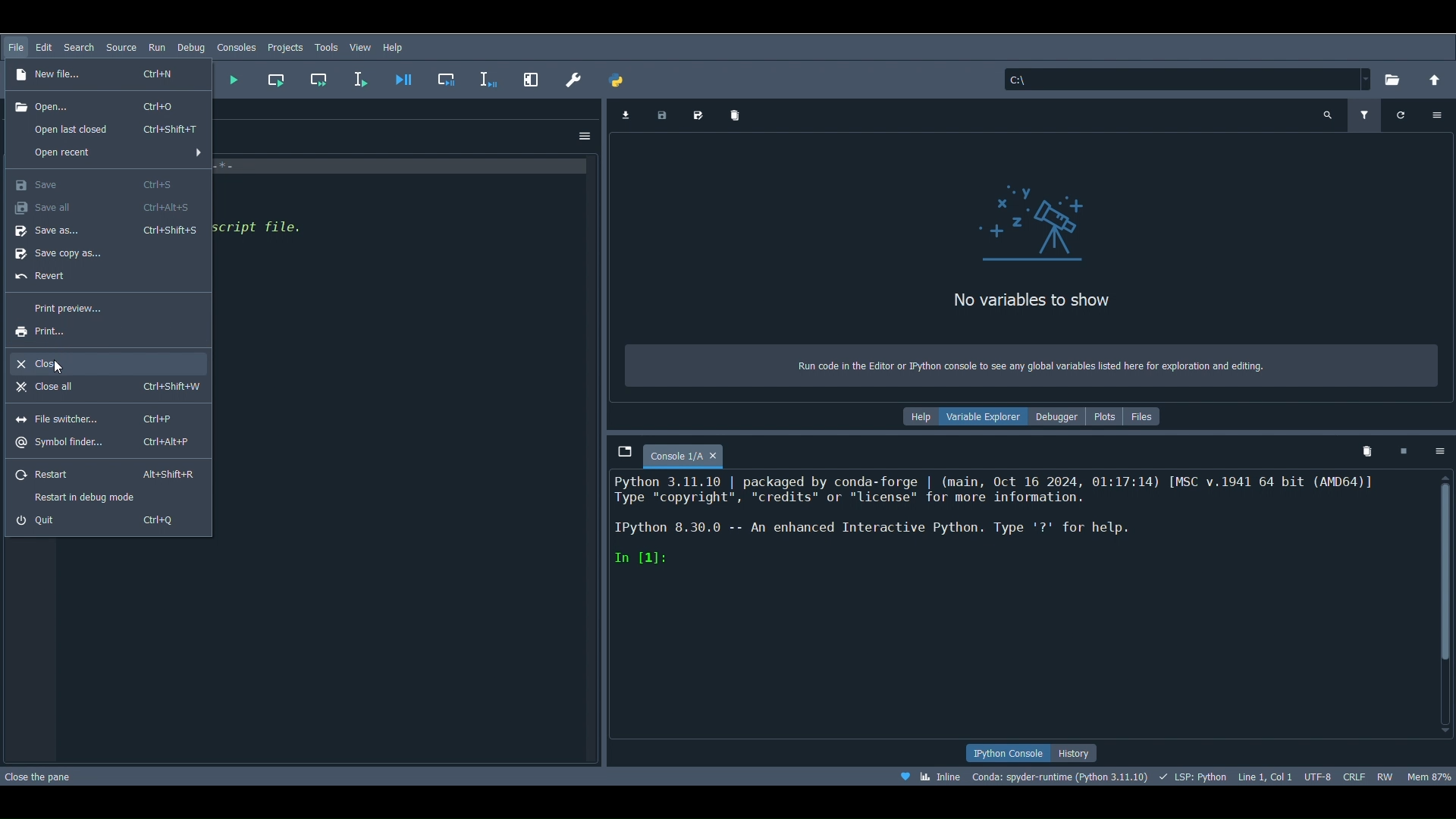  What do you see at coordinates (1402, 114) in the screenshot?
I see `Refresh variables (Ctrl + R)` at bounding box center [1402, 114].